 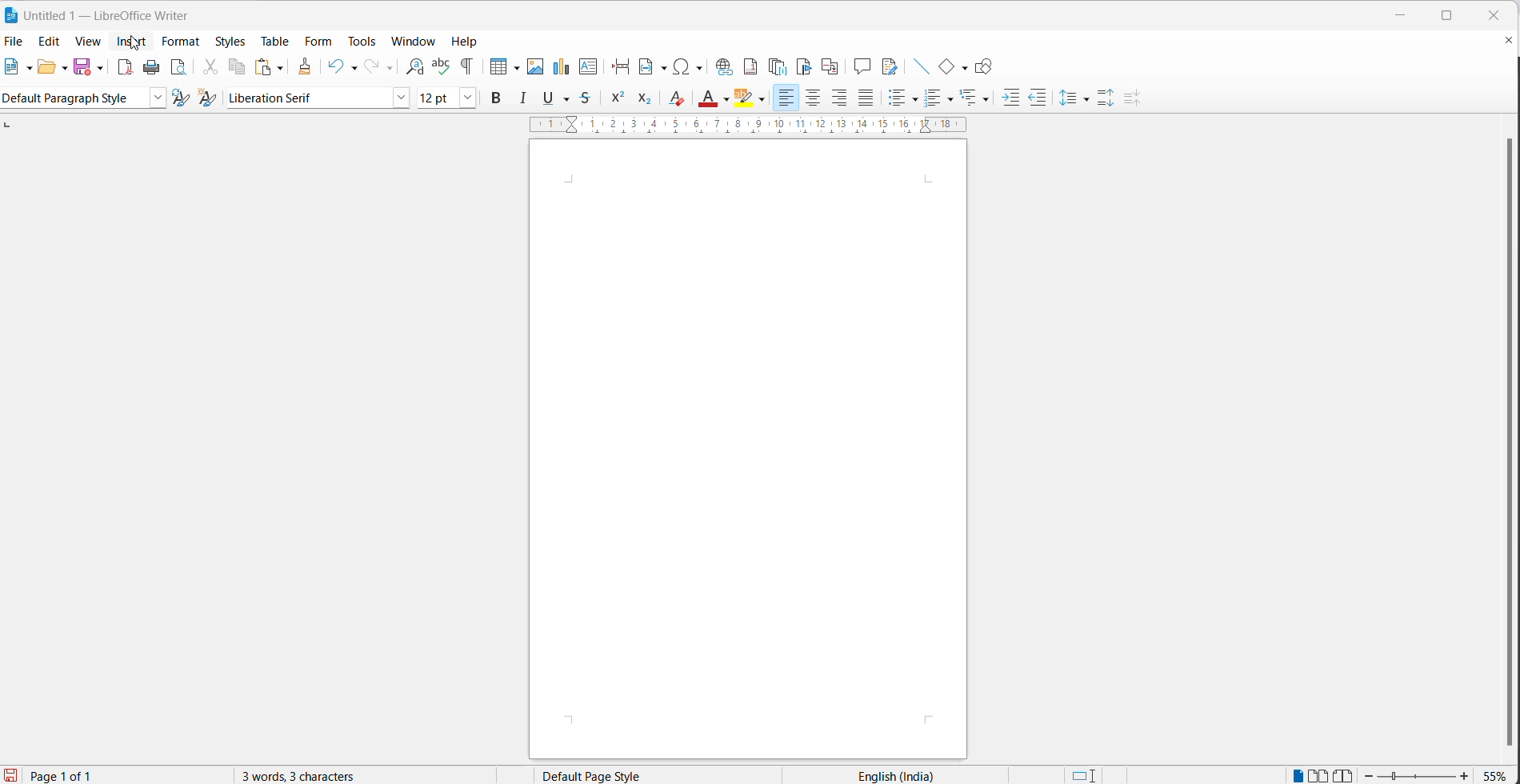 I want to click on open, so click(x=44, y=68).